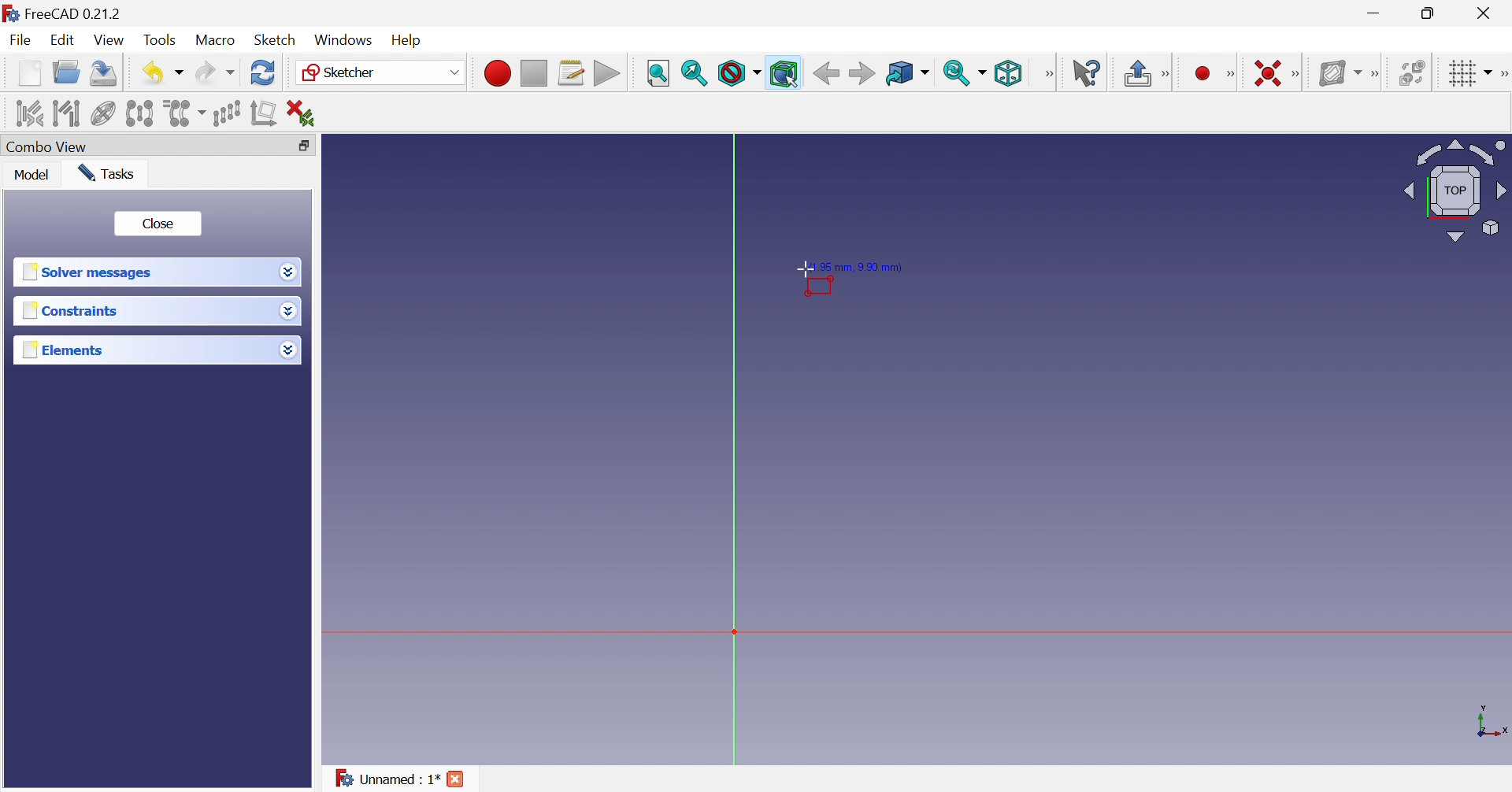 This screenshot has height=792, width=1512. What do you see at coordinates (1377, 76) in the screenshot?
I see `[Sketcher B-spline tools]` at bounding box center [1377, 76].